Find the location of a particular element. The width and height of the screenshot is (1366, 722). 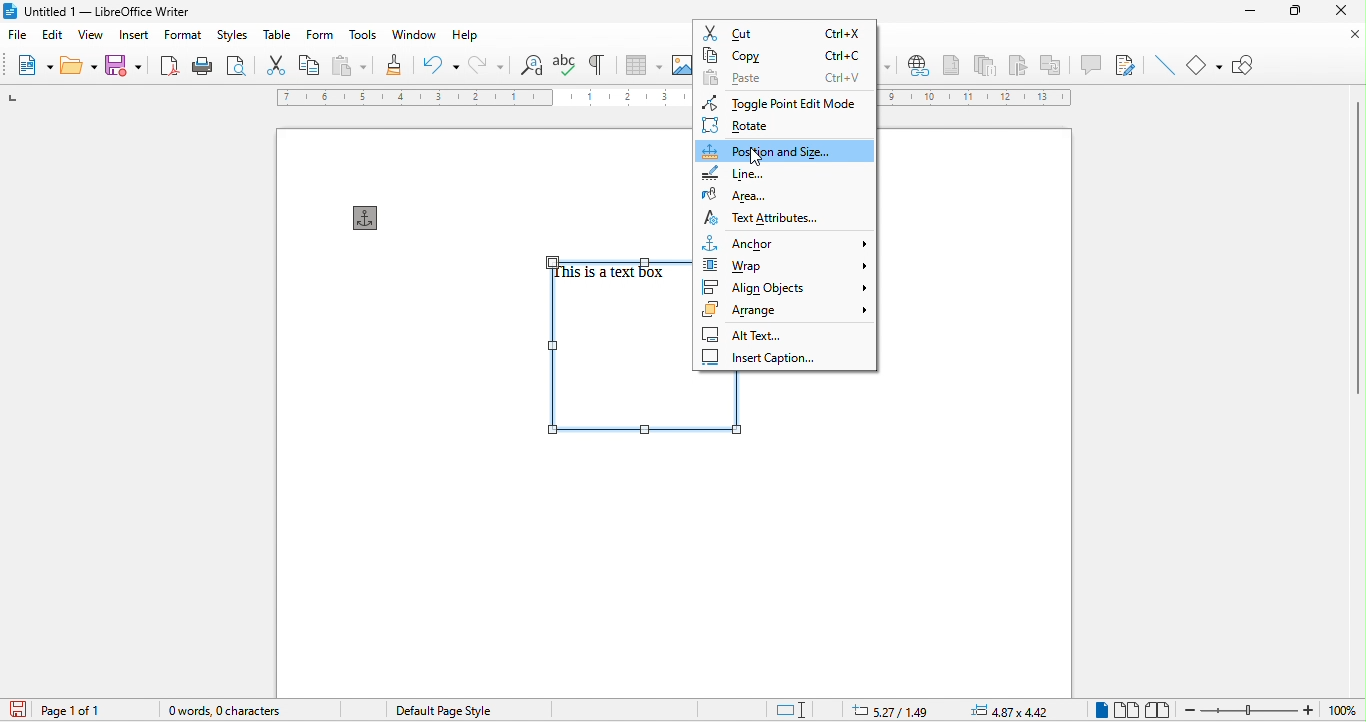

print preview is located at coordinates (236, 67).